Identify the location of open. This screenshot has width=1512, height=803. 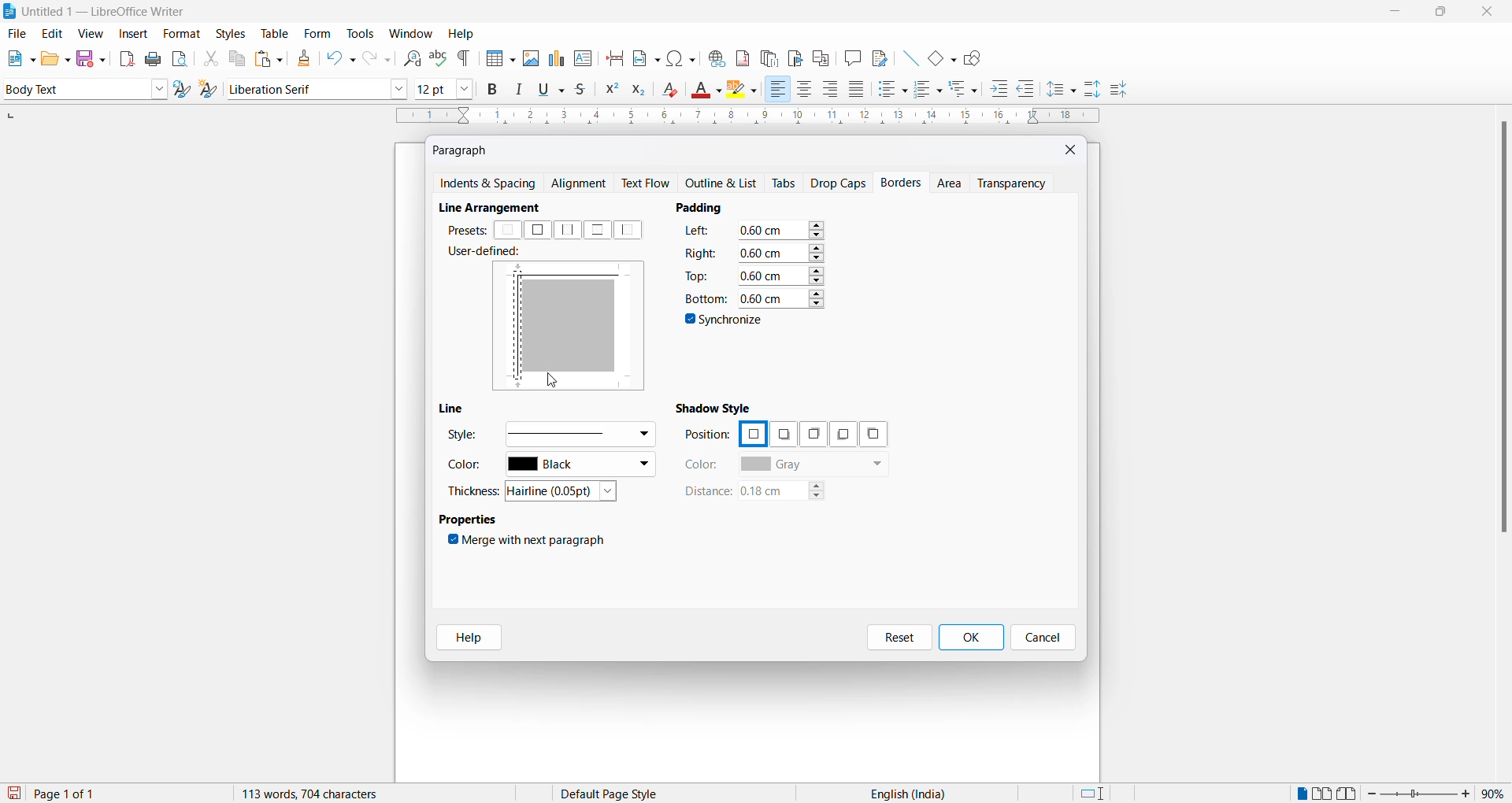
(55, 58).